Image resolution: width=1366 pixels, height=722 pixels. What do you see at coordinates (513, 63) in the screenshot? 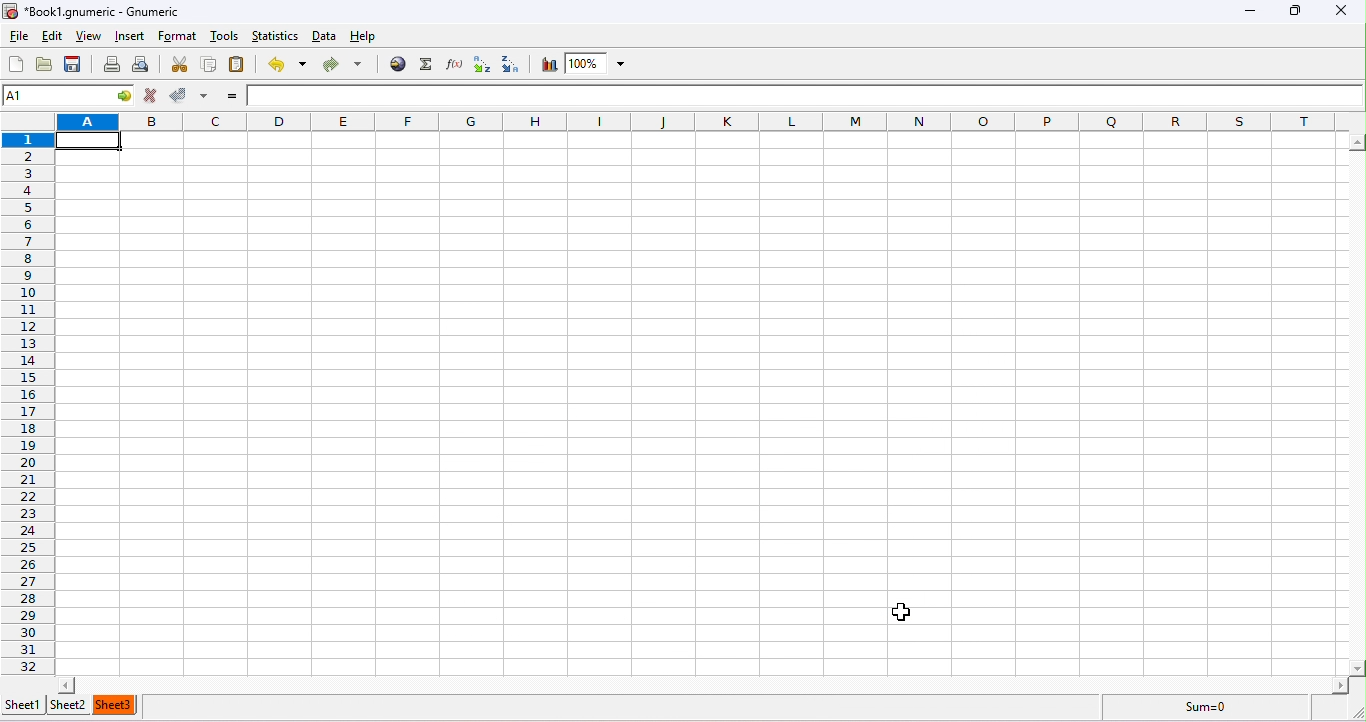
I see `sort descending order` at bounding box center [513, 63].